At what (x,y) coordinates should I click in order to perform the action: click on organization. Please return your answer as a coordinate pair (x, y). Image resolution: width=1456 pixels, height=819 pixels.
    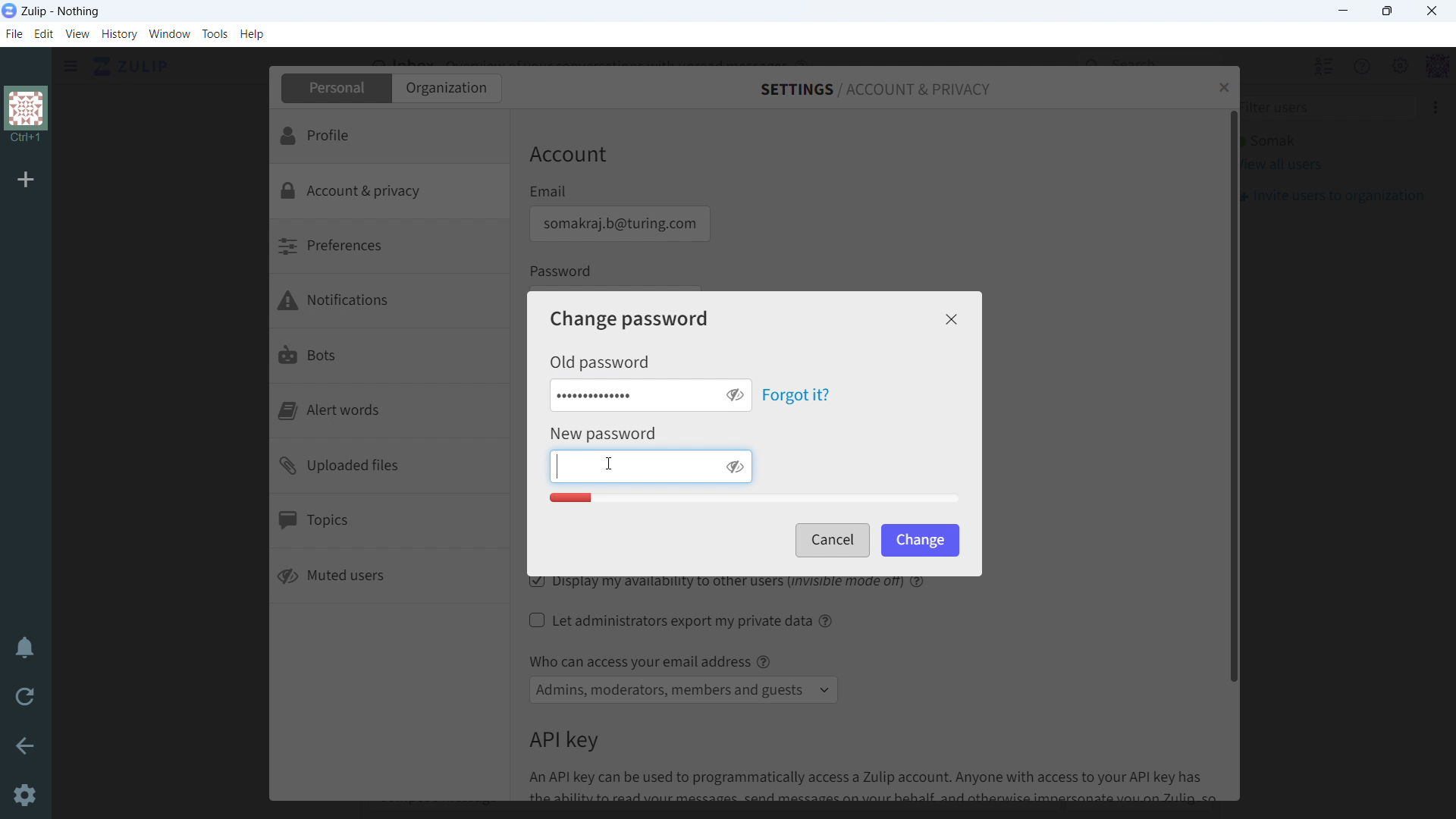
    Looking at the image, I should click on (27, 116).